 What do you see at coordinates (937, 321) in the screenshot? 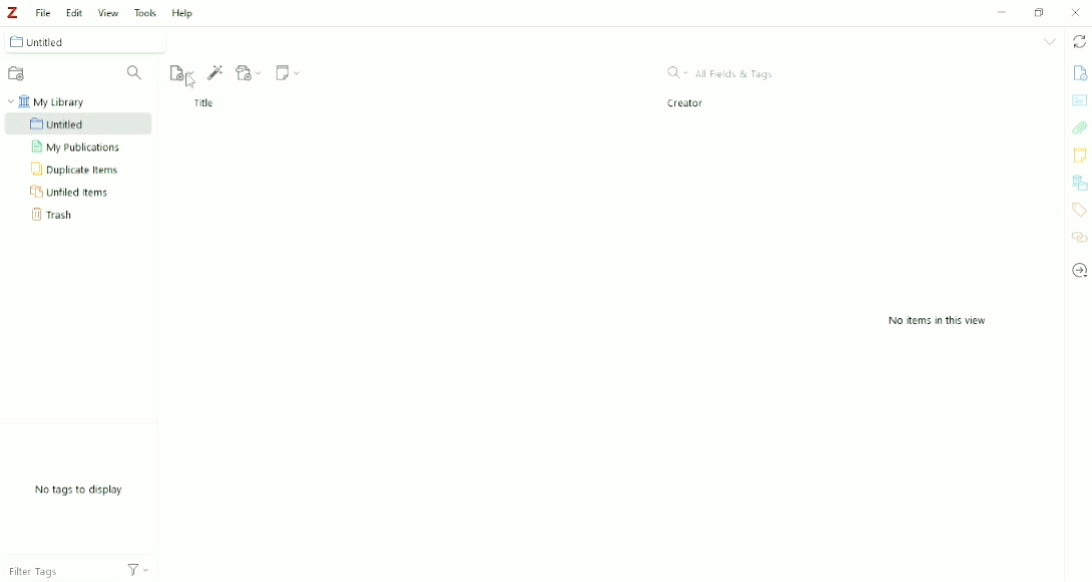
I see `No items in this view` at bounding box center [937, 321].